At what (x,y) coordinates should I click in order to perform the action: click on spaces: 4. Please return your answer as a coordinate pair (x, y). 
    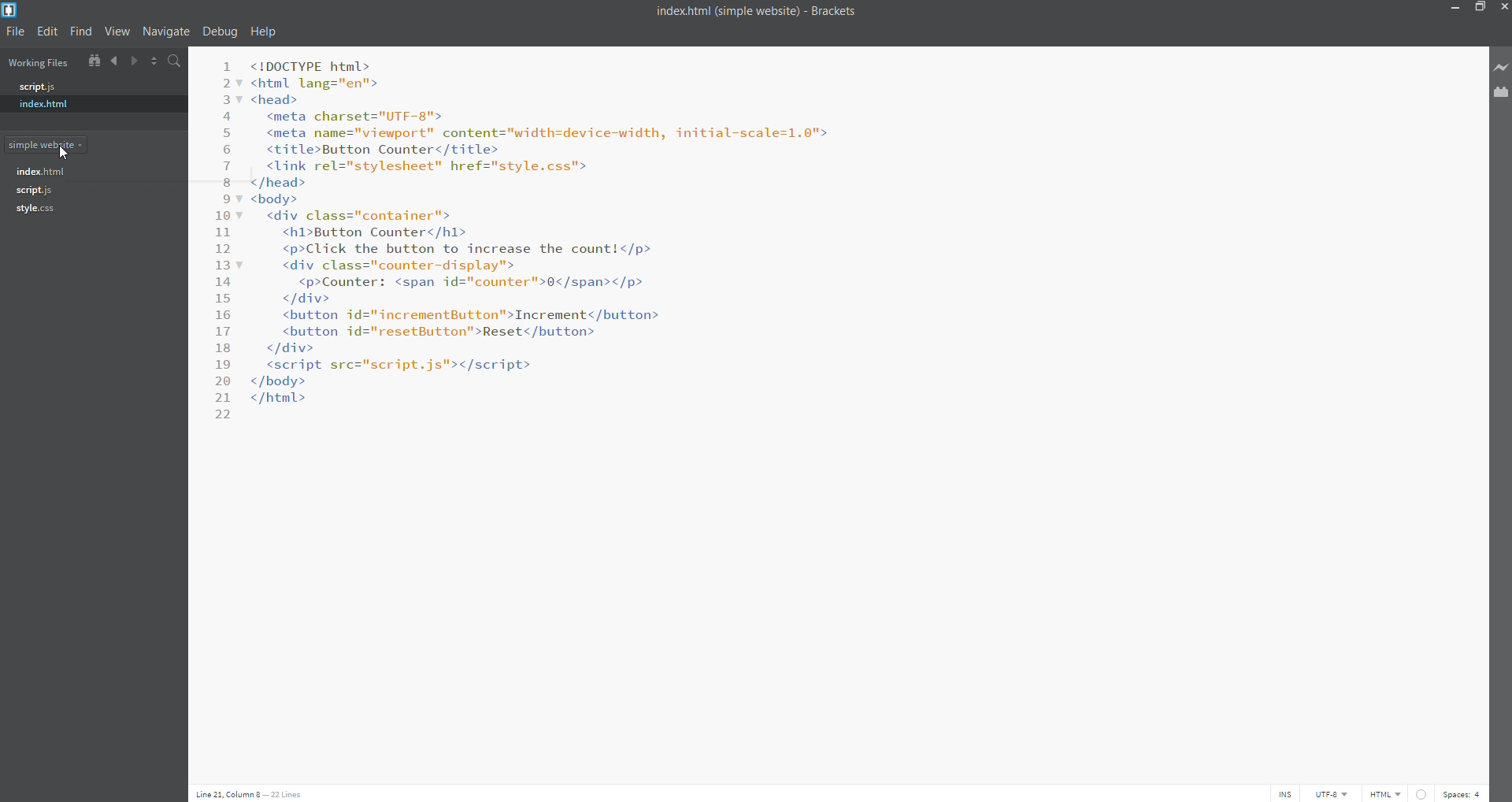
    Looking at the image, I should click on (1465, 794).